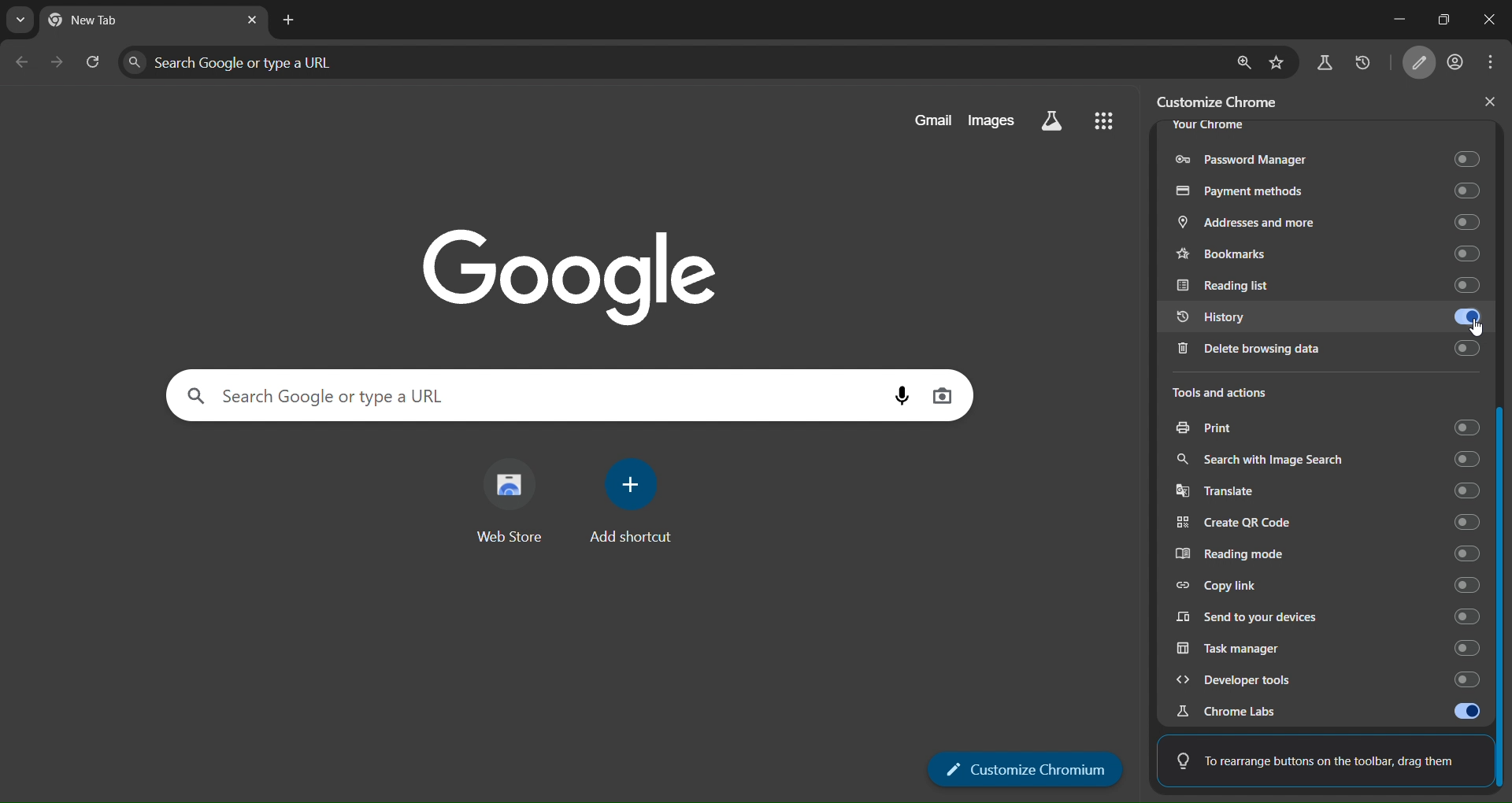 The height and width of the screenshot is (803, 1512). Describe the element at coordinates (1317, 757) in the screenshot. I see `To rearrange buttons on the toolbar, drag them` at that location.